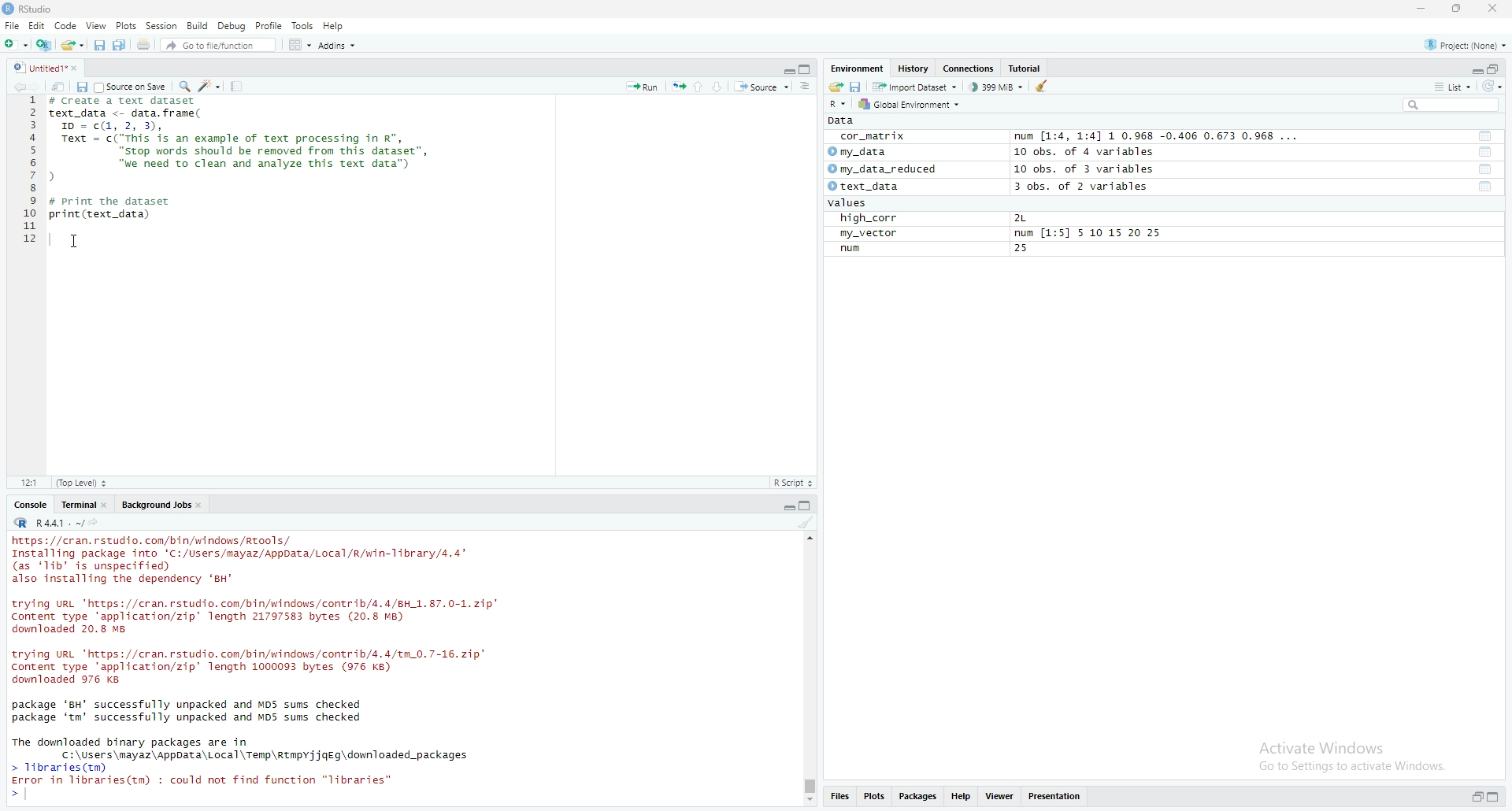 The height and width of the screenshot is (811, 1512). Describe the element at coordinates (1043, 88) in the screenshot. I see `clear object from the workspace` at that location.